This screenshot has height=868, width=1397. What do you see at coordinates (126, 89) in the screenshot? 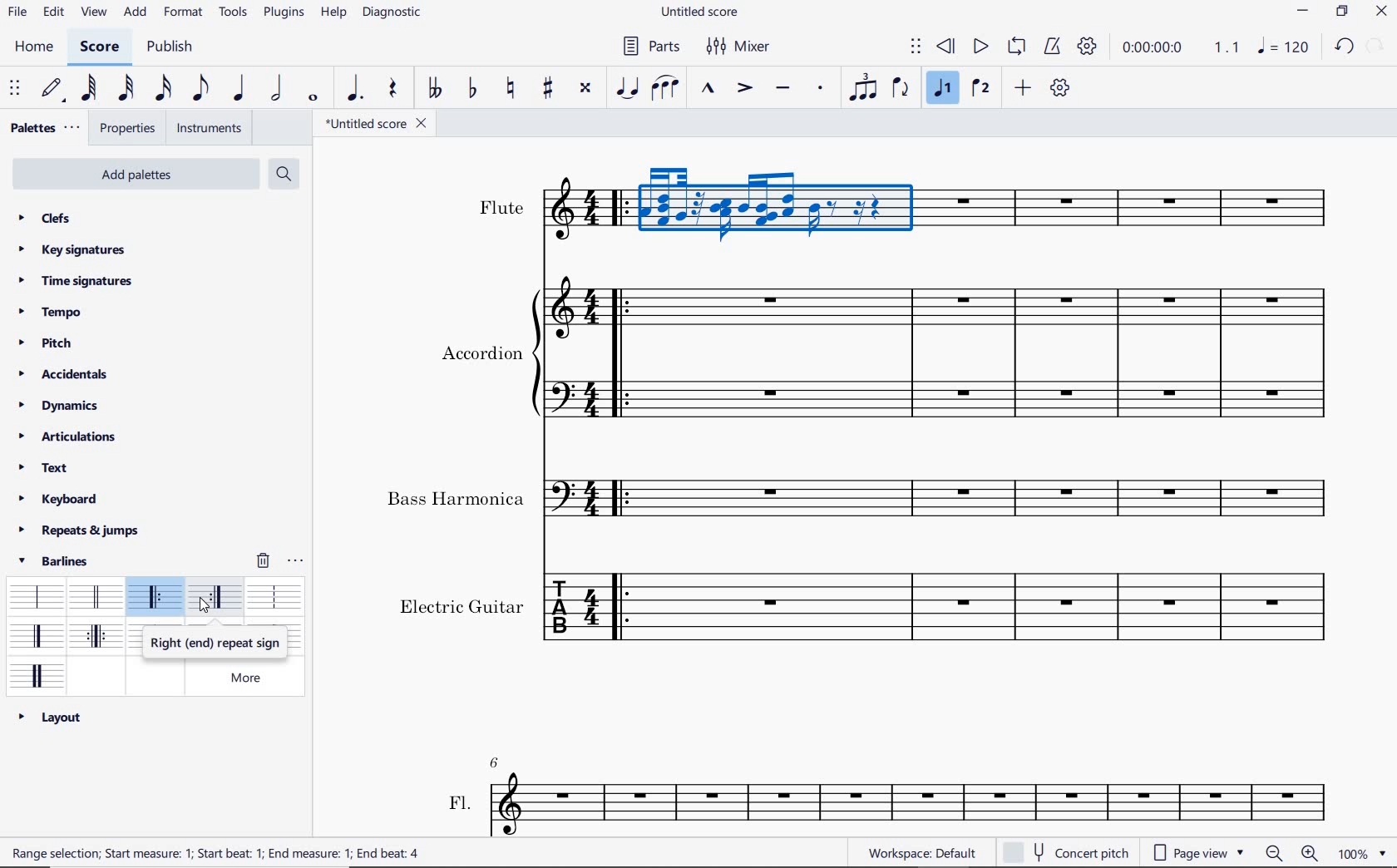
I see `32nd note` at bounding box center [126, 89].